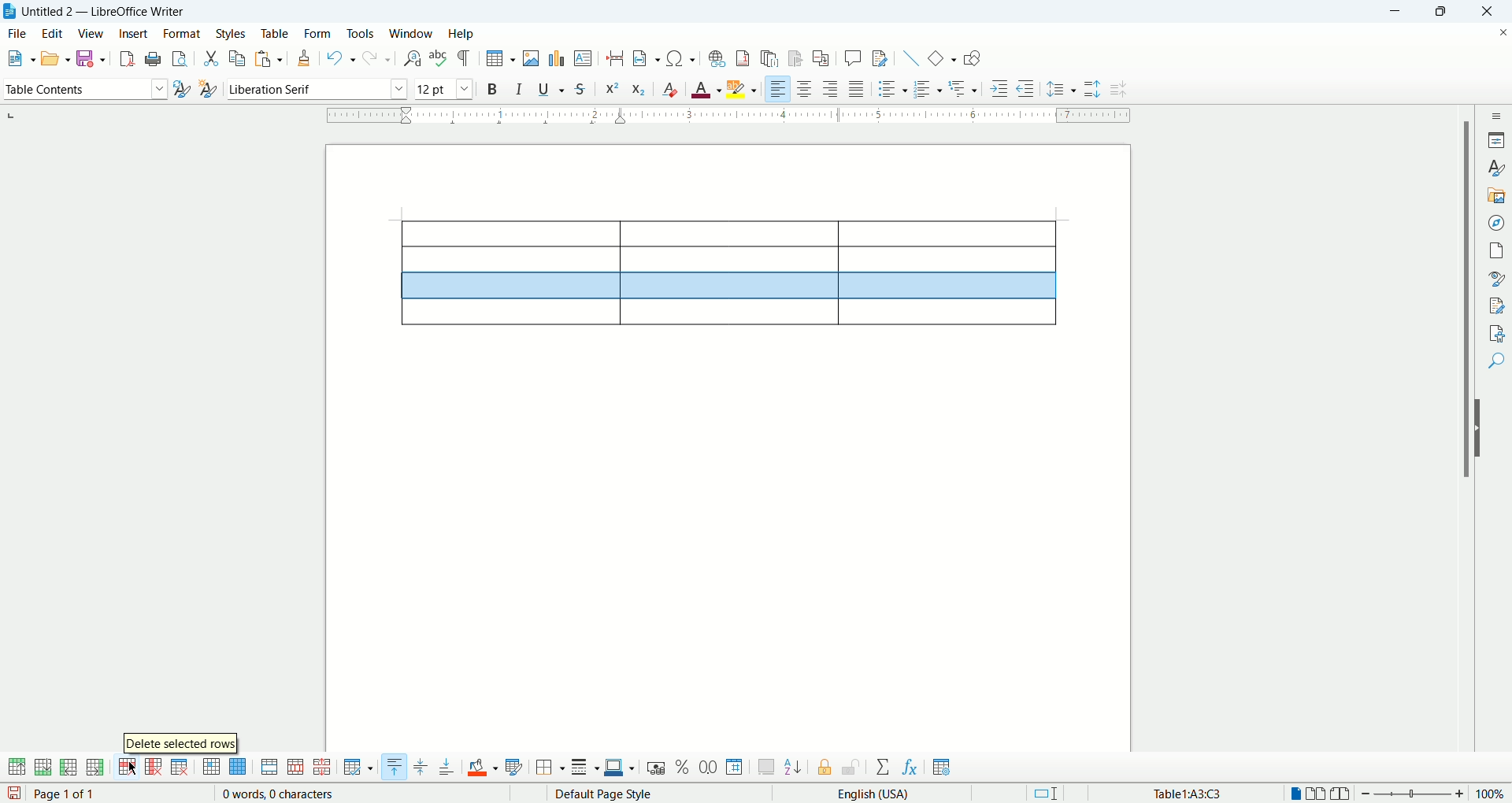 The image size is (1512, 803). Describe the element at coordinates (421, 768) in the screenshot. I see `center vertically` at that location.